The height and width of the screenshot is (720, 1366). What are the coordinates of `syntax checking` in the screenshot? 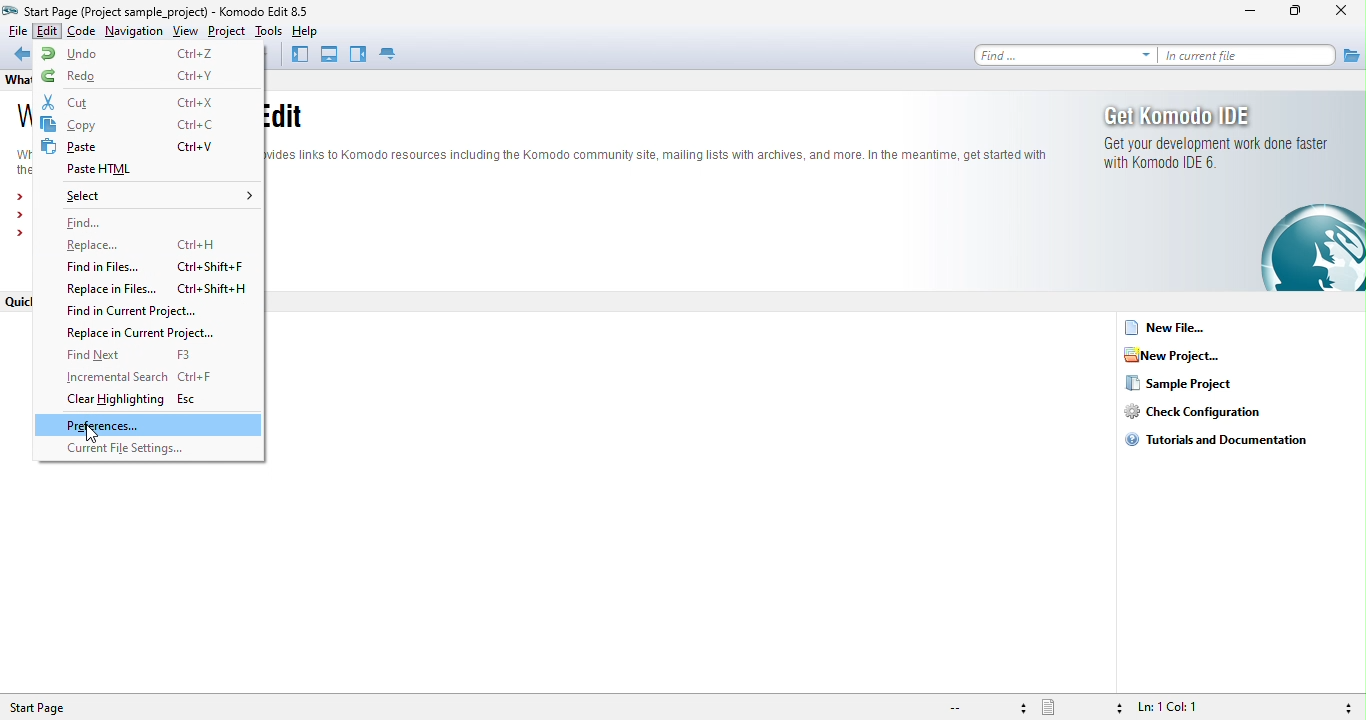 It's located at (1345, 706).